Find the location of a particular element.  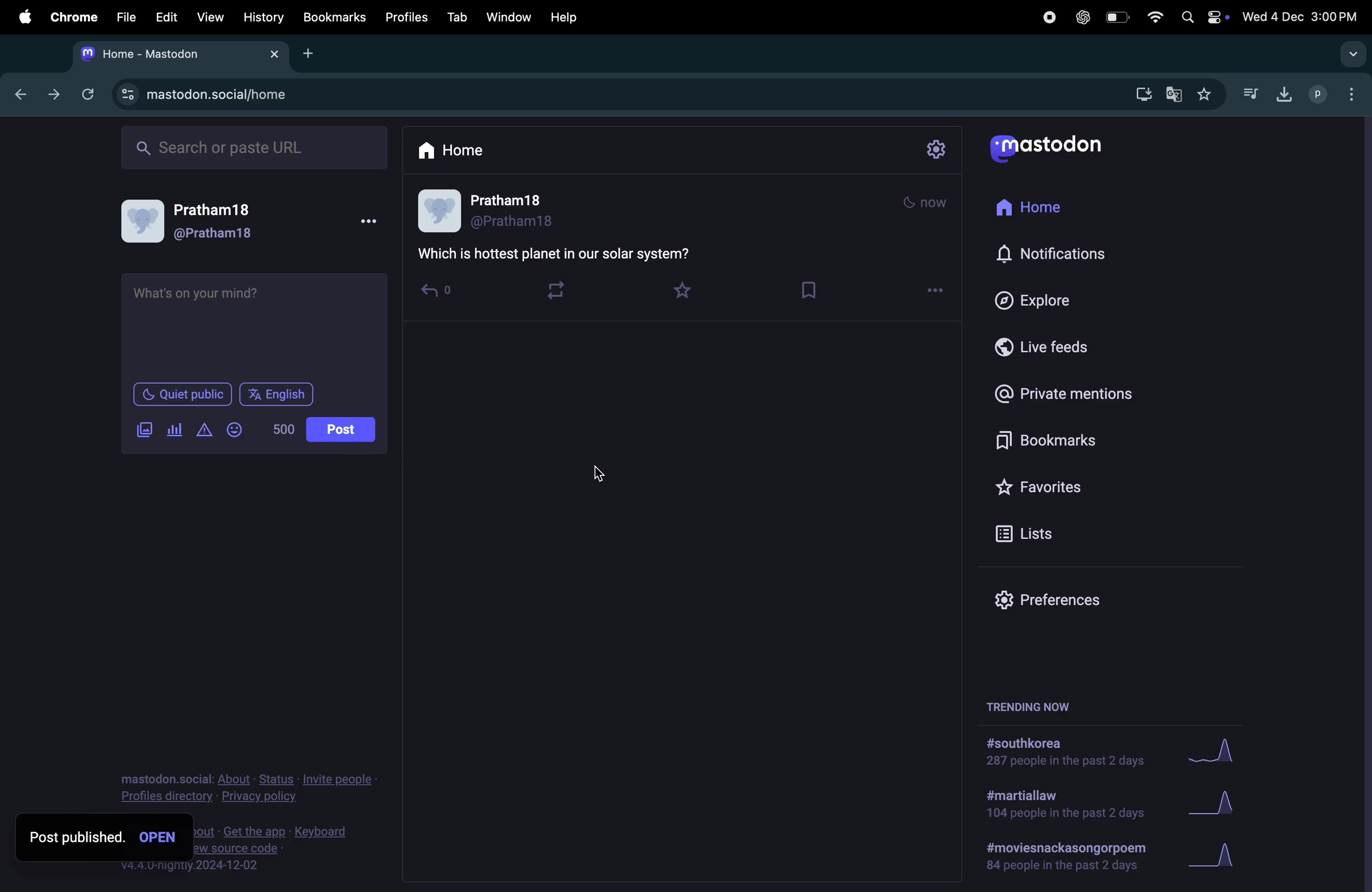

translate is located at coordinates (1173, 93).